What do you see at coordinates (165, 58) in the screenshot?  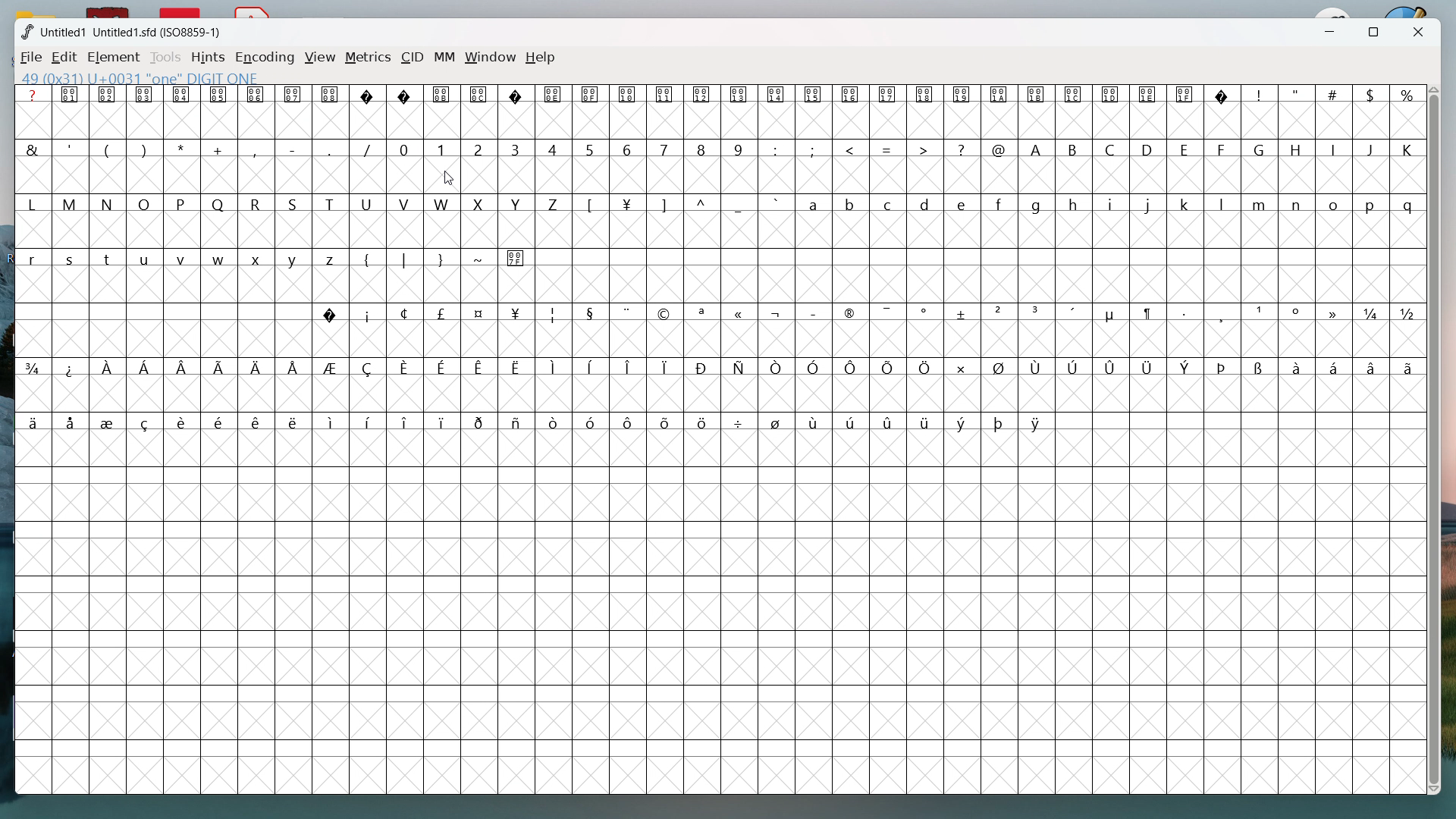 I see `tools` at bounding box center [165, 58].